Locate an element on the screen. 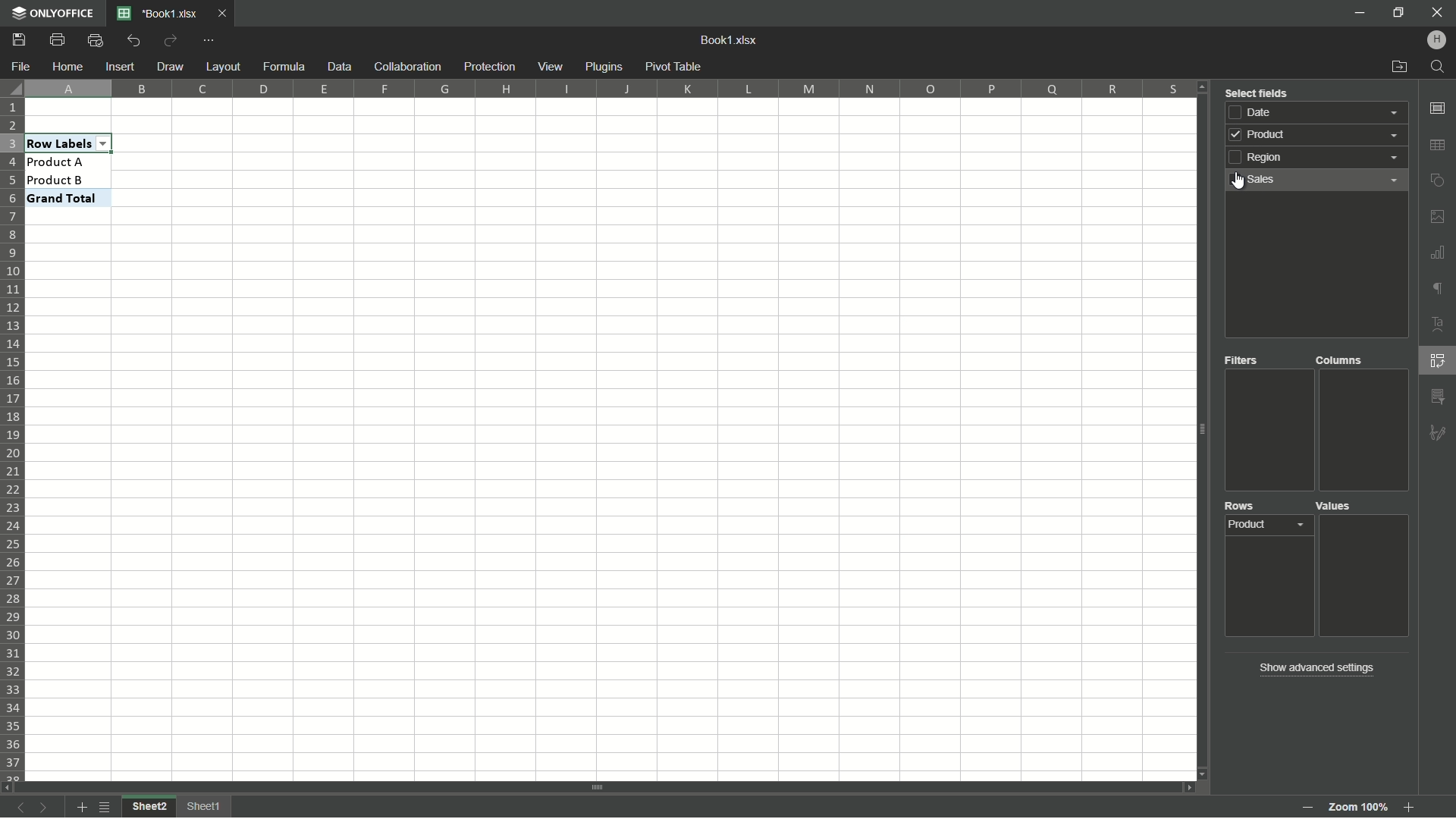 Image resolution: width=1456 pixels, height=819 pixels. Values is located at coordinates (1339, 507).